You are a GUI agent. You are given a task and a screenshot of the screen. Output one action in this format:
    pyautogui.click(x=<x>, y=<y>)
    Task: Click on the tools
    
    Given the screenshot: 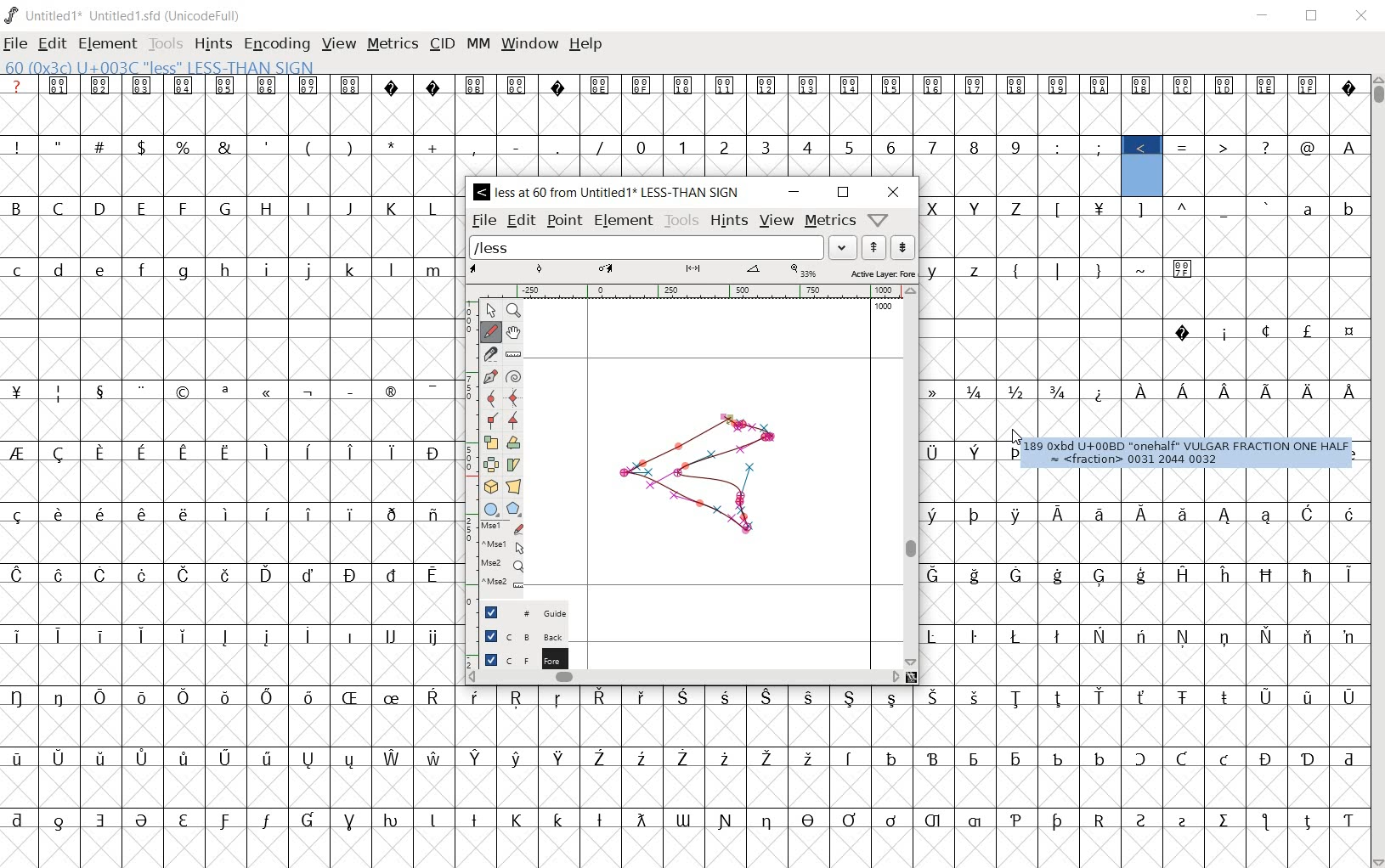 What is the action you would take?
    pyautogui.click(x=681, y=222)
    